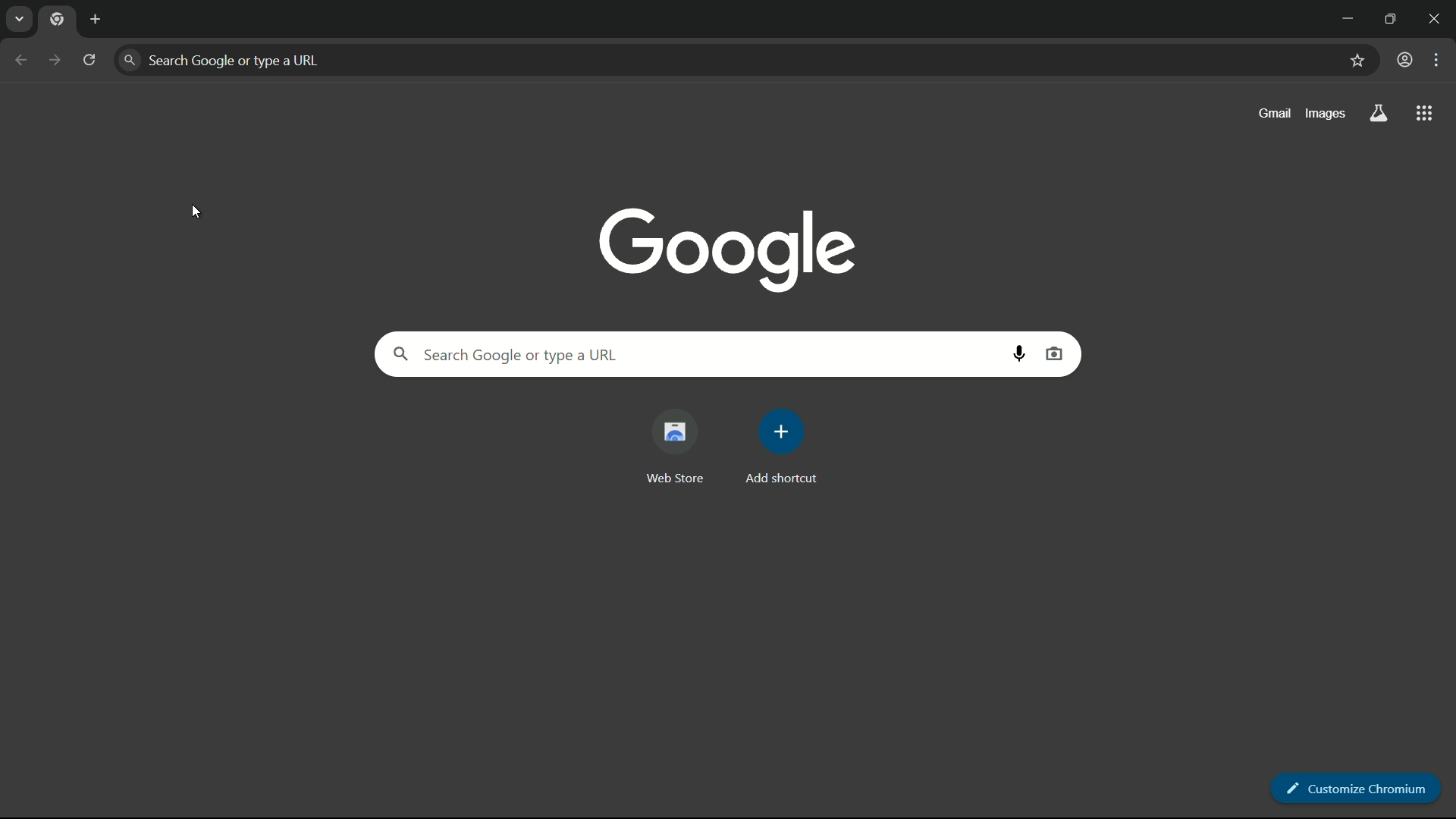 The image size is (1456, 819). I want to click on gmail, so click(1276, 113).